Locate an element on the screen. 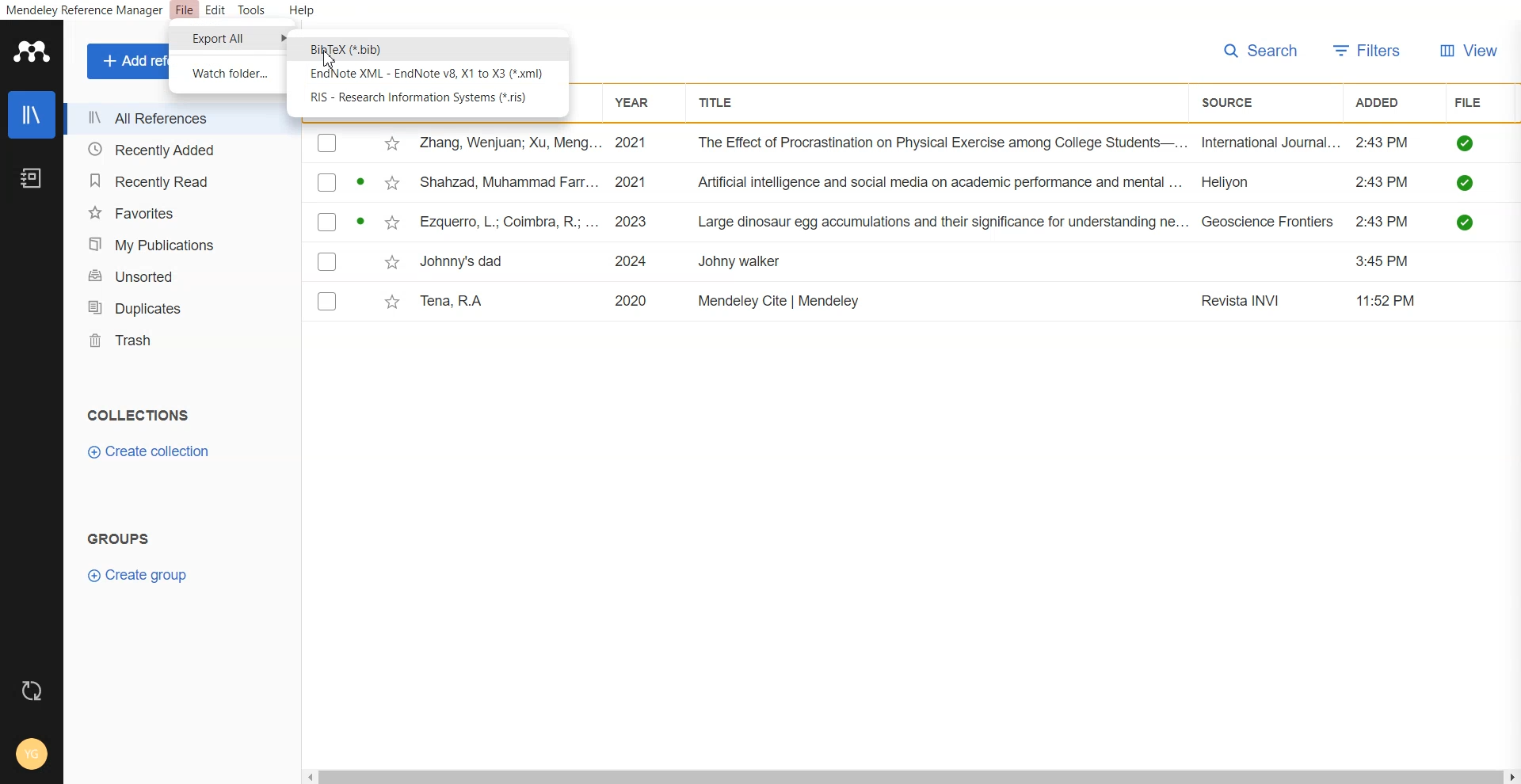 Image resolution: width=1521 pixels, height=784 pixels. Export All is located at coordinates (227, 39).